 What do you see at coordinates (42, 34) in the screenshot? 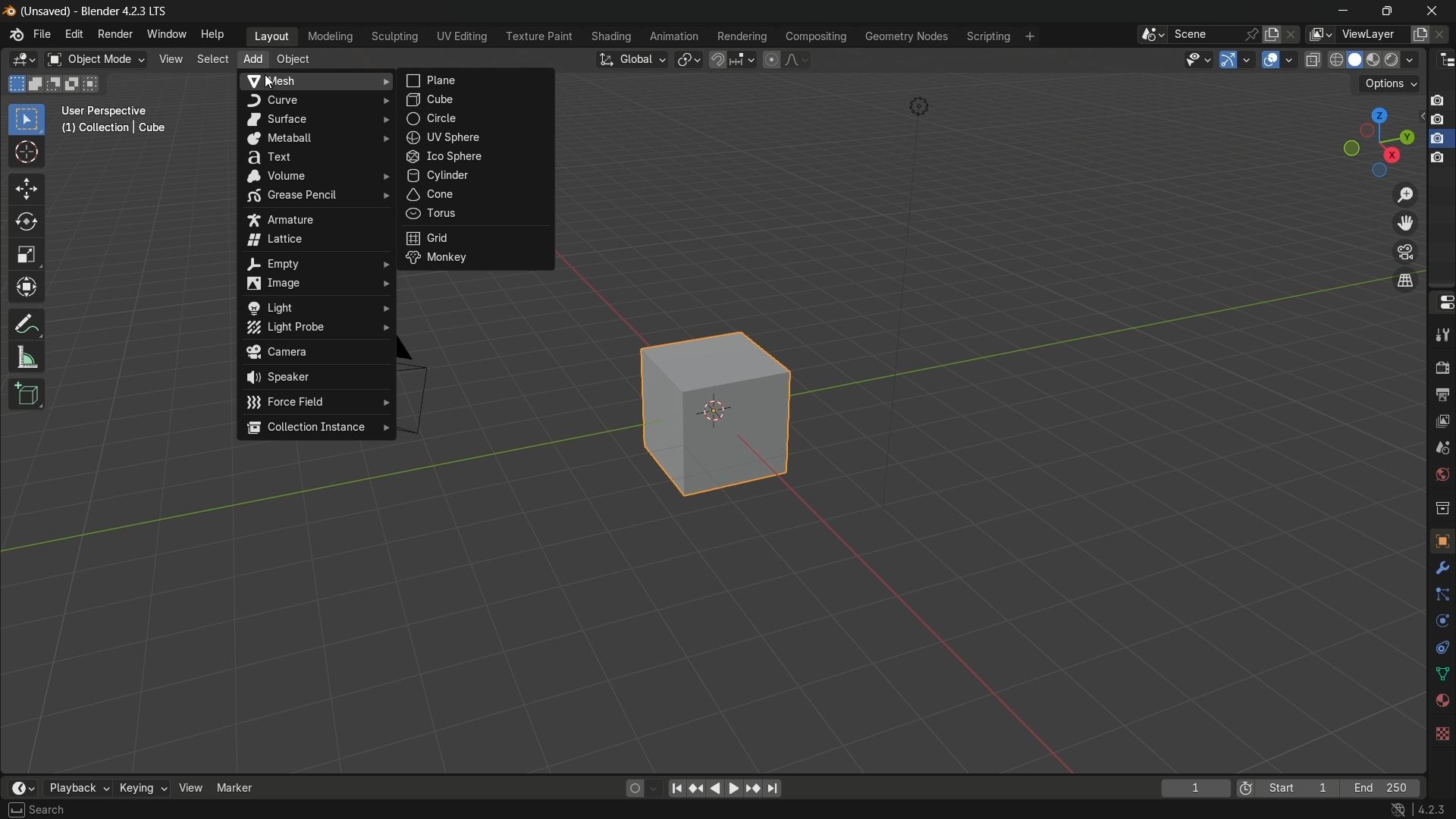
I see `file menu` at bounding box center [42, 34].